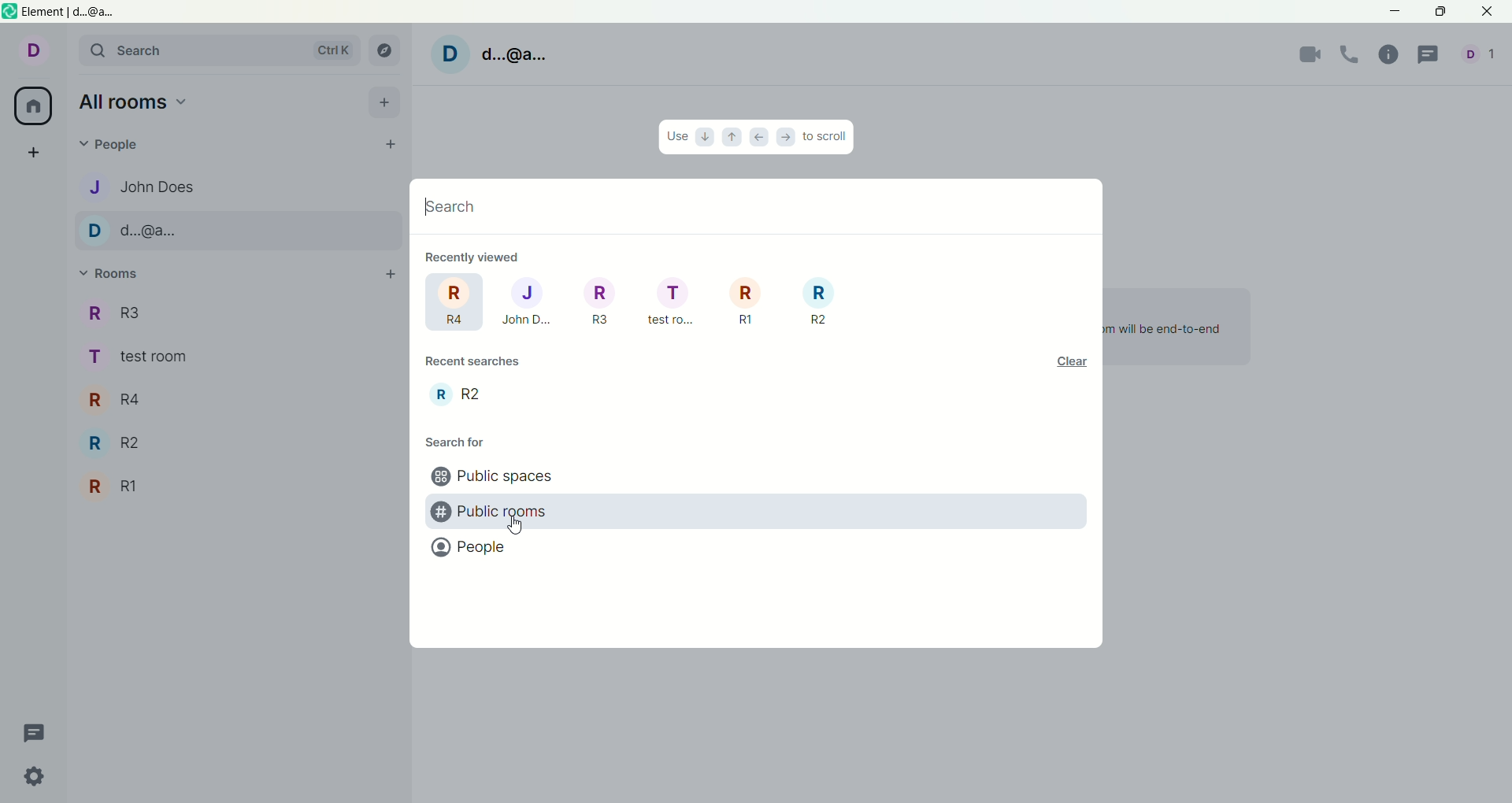  Describe the element at coordinates (675, 136) in the screenshot. I see `use` at that location.